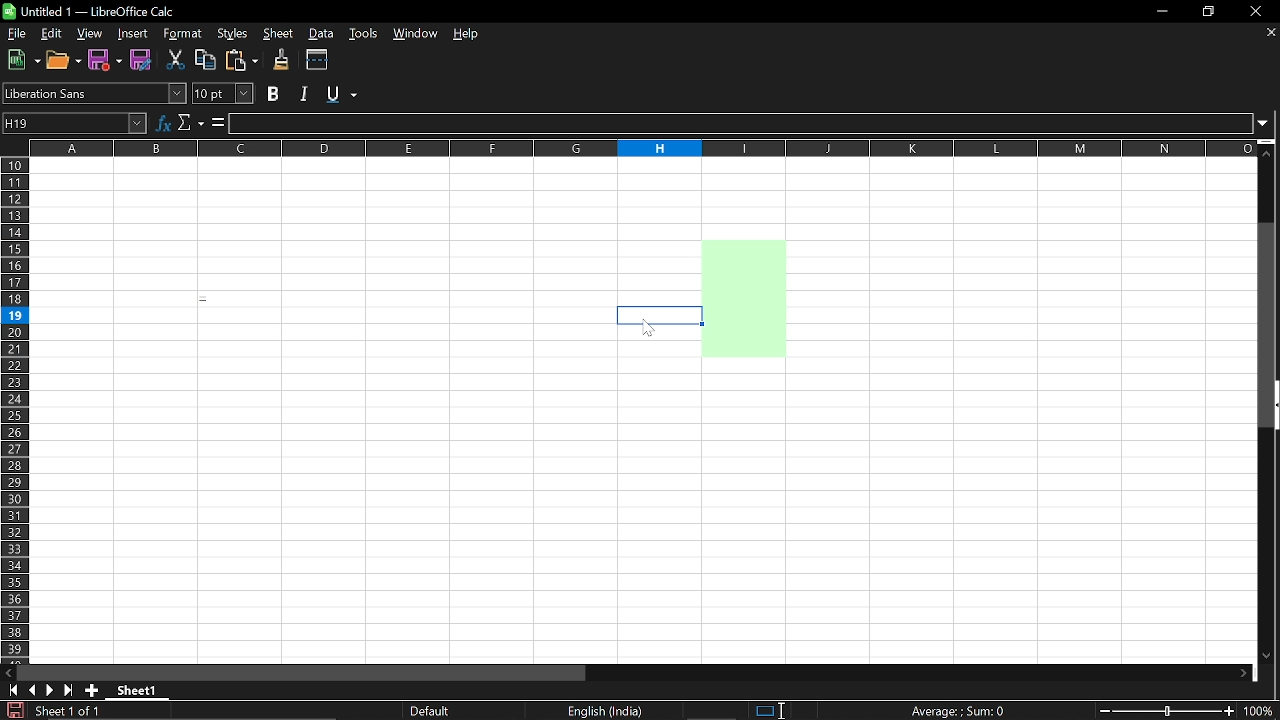  What do you see at coordinates (362, 353) in the screenshot?
I see `Fillable cells` at bounding box center [362, 353].